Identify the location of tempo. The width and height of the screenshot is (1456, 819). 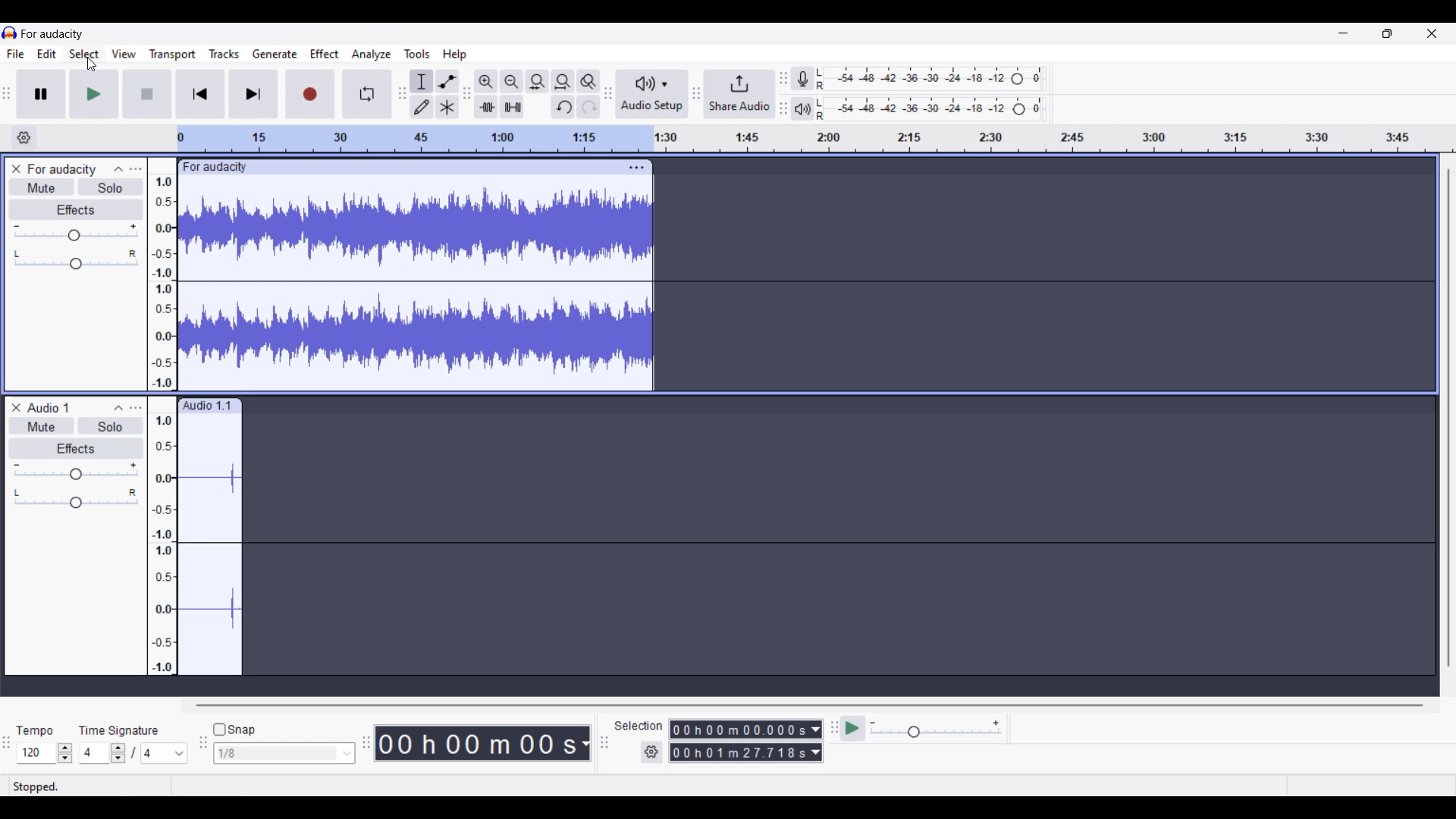
(36, 730).